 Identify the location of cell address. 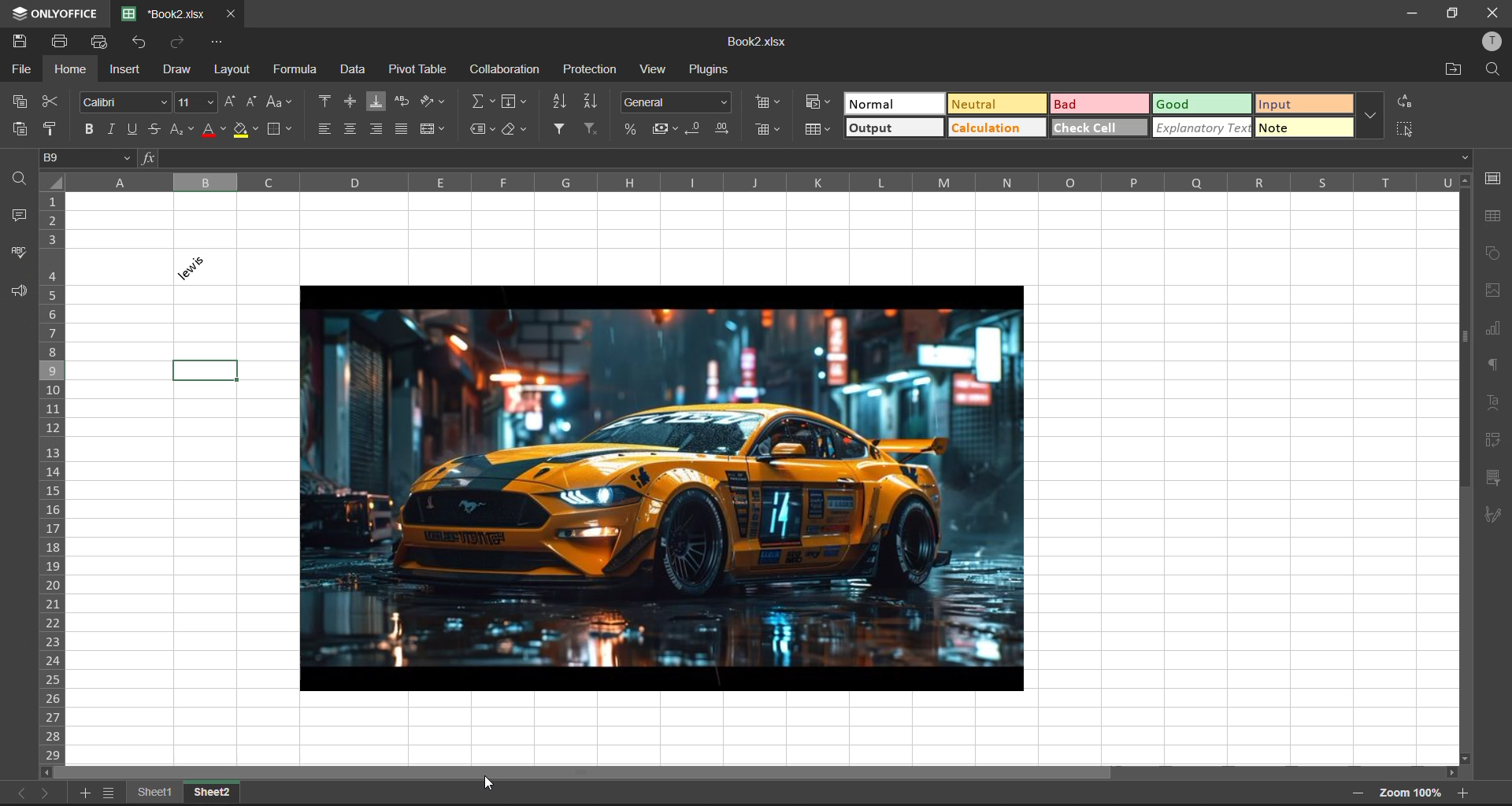
(90, 160).